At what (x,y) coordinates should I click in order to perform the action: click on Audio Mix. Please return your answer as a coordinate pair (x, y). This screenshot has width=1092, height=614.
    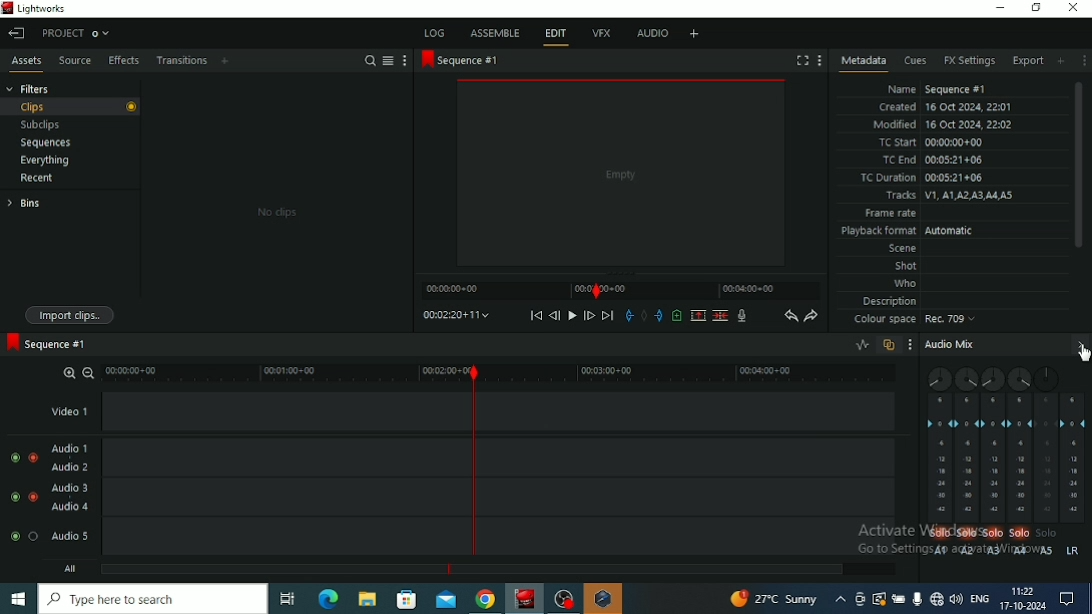
    Looking at the image, I should click on (1073, 458).